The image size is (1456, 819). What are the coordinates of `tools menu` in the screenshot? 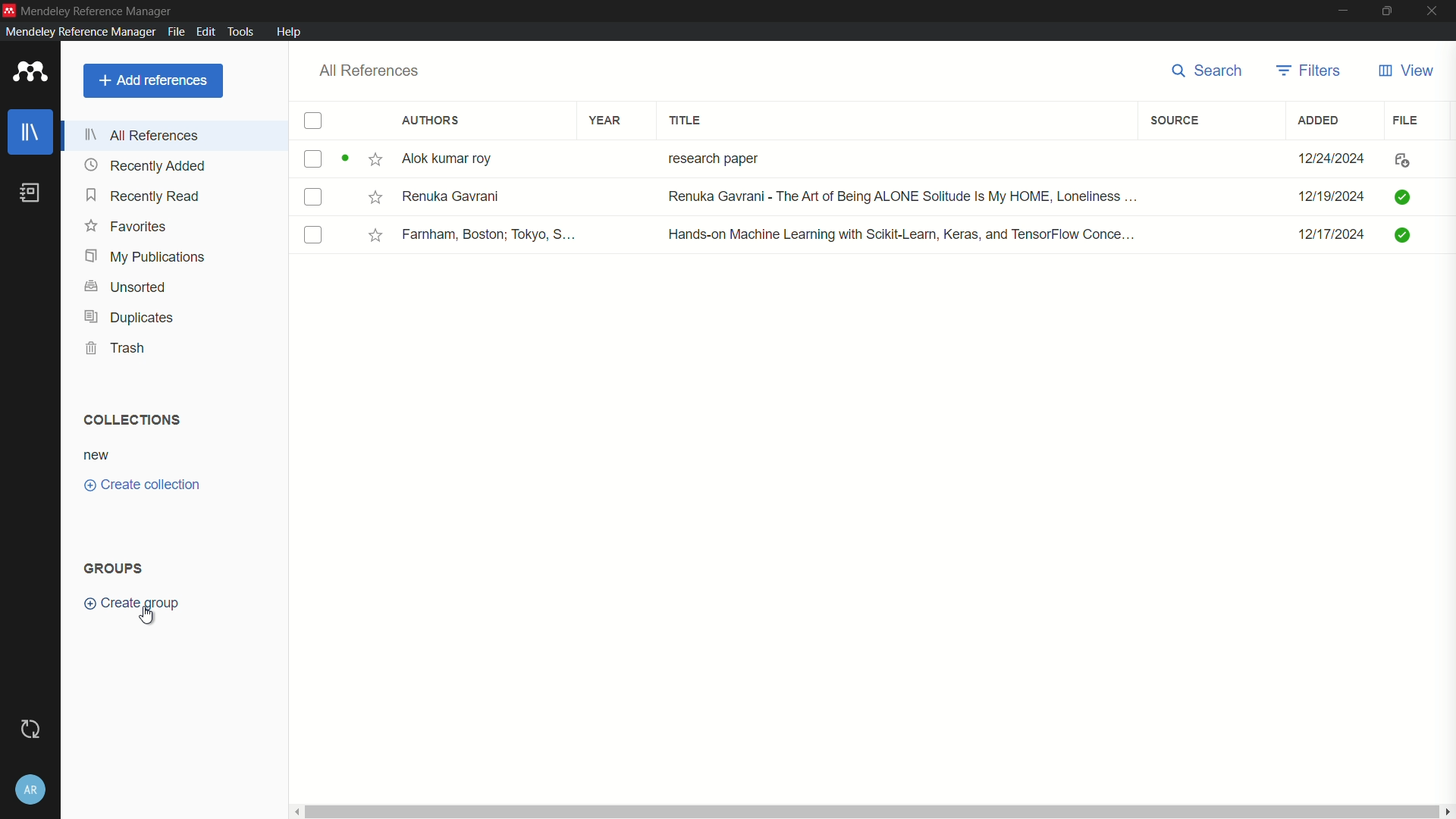 It's located at (240, 31).